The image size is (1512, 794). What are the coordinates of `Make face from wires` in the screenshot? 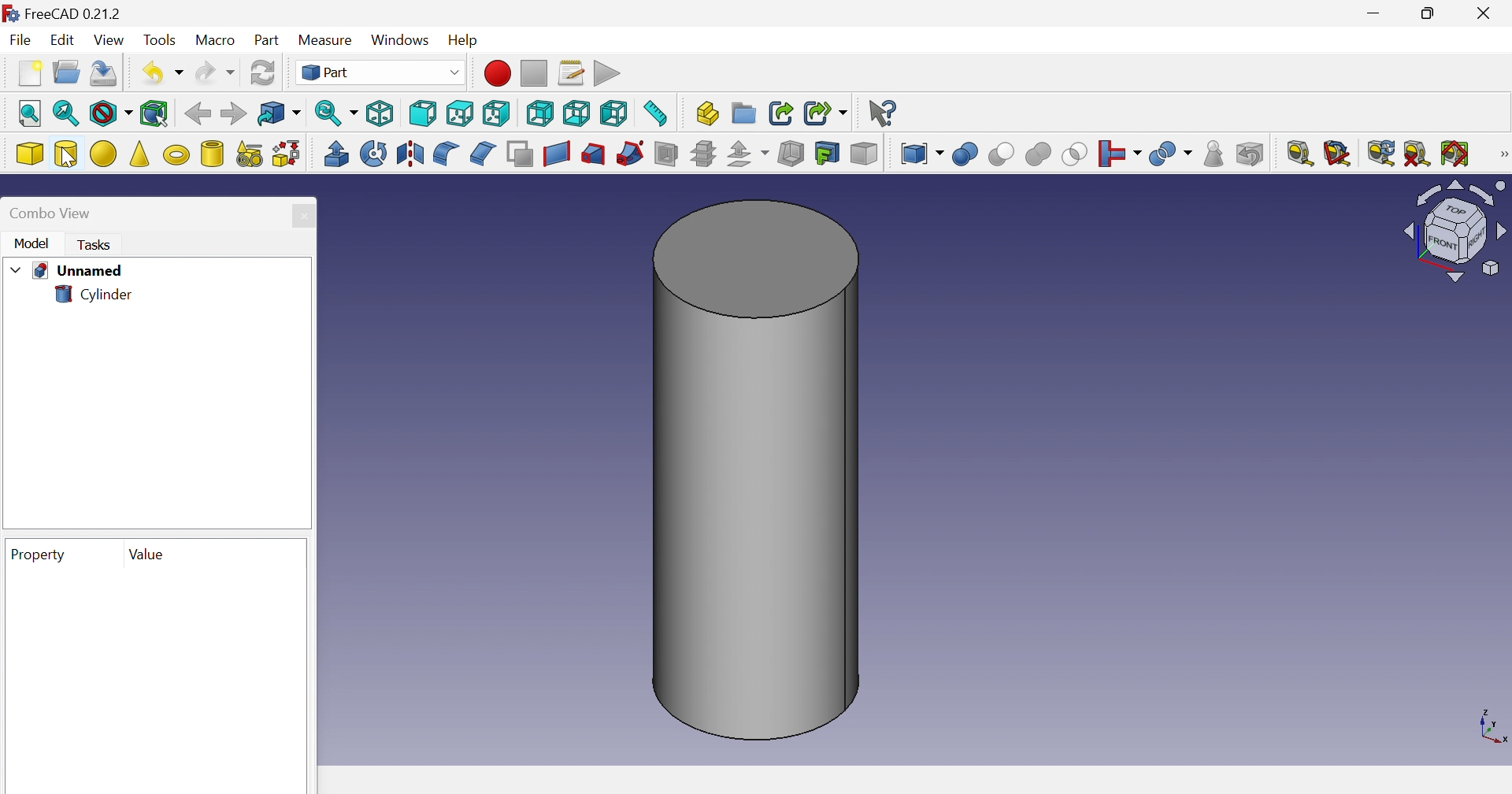 It's located at (520, 155).